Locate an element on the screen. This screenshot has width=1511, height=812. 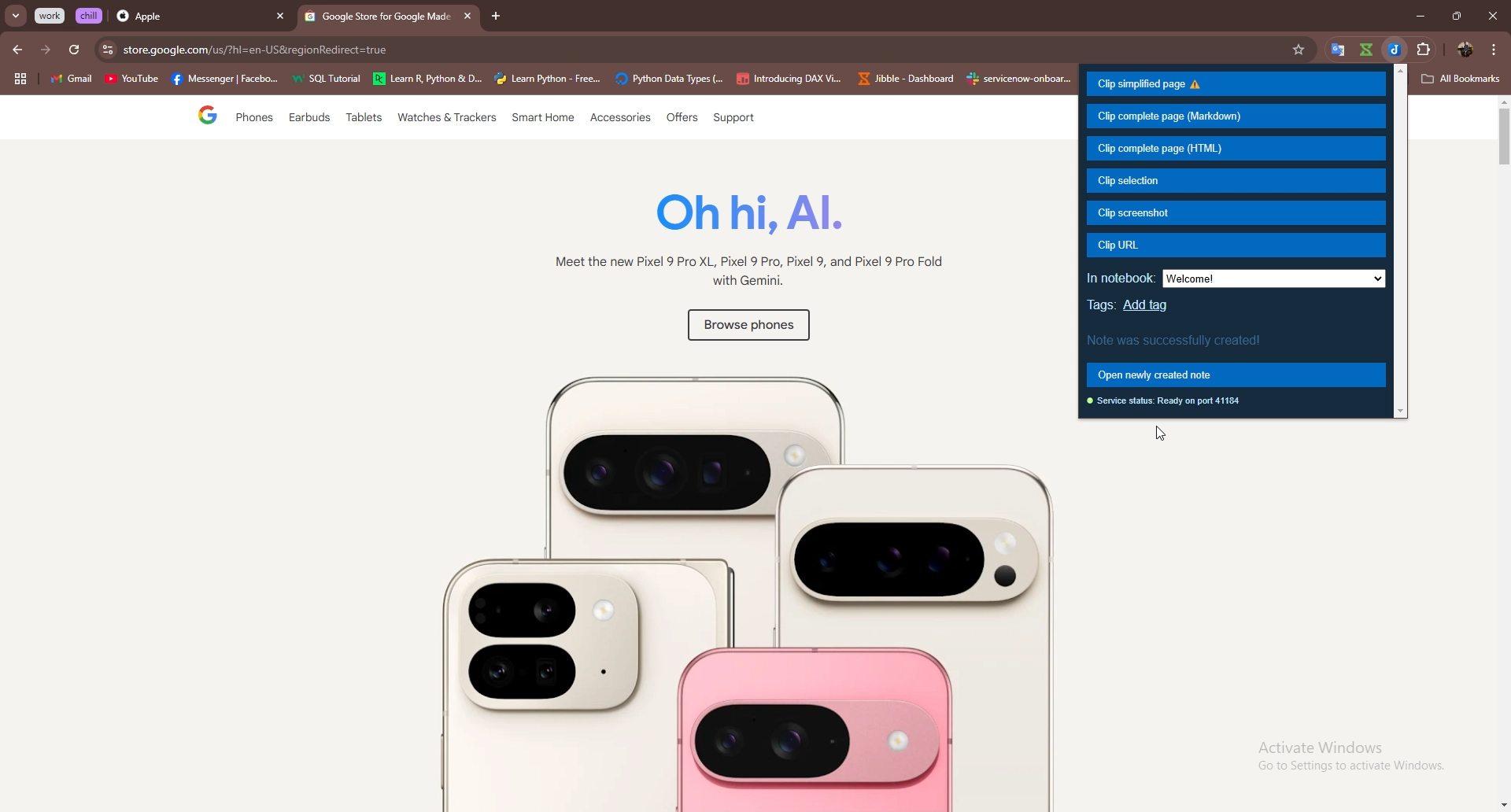
add tab is located at coordinates (497, 17).